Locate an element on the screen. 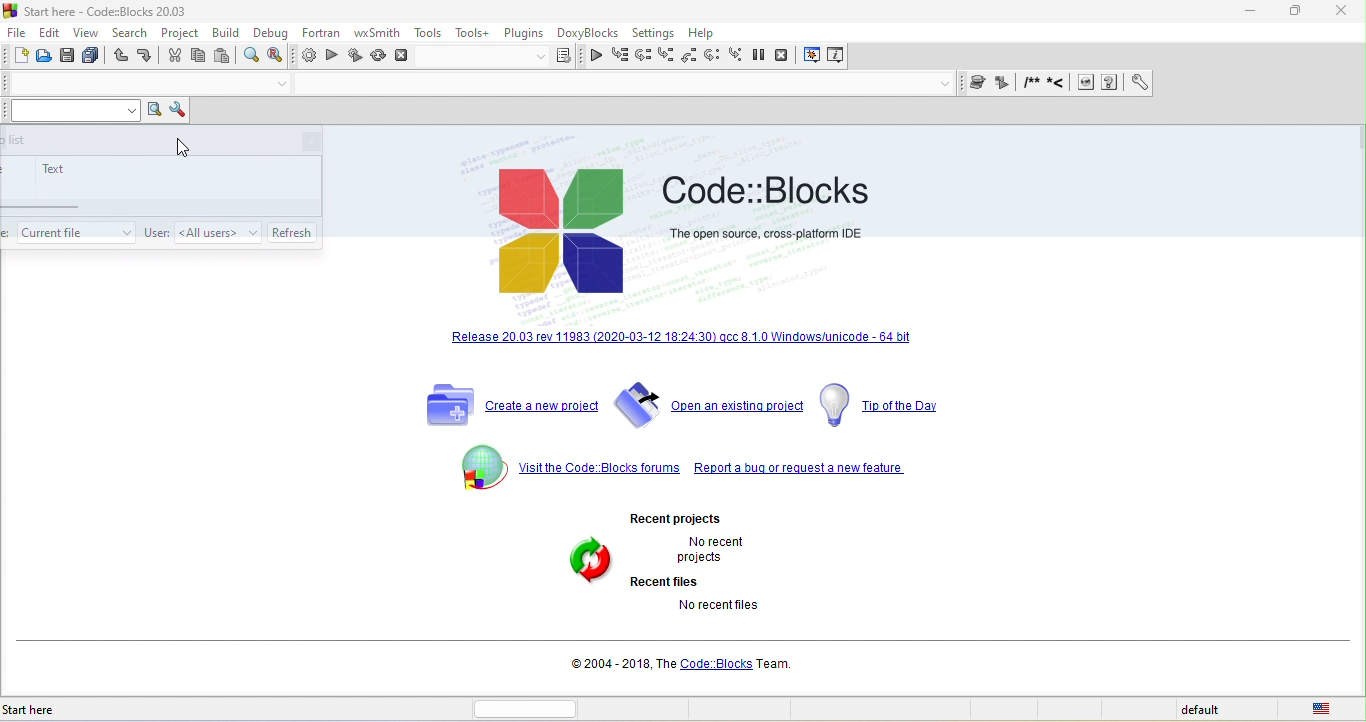 This screenshot has width=1366, height=722. default is located at coordinates (1215, 710).